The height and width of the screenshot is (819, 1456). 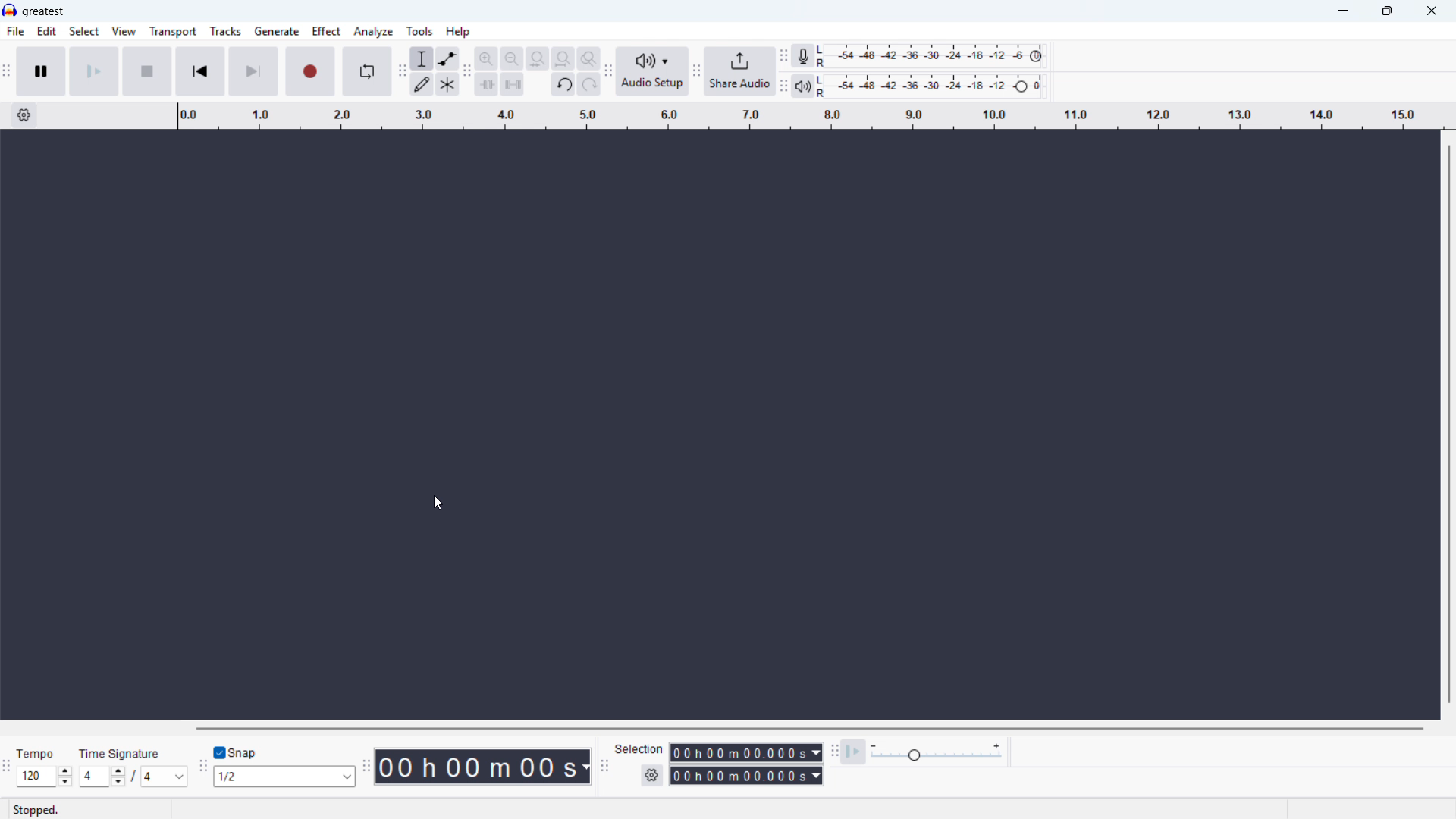 What do you see at coordinates (936, 85) in the screenshot?
I see `Playback level ` at bounding box center [936, 85].